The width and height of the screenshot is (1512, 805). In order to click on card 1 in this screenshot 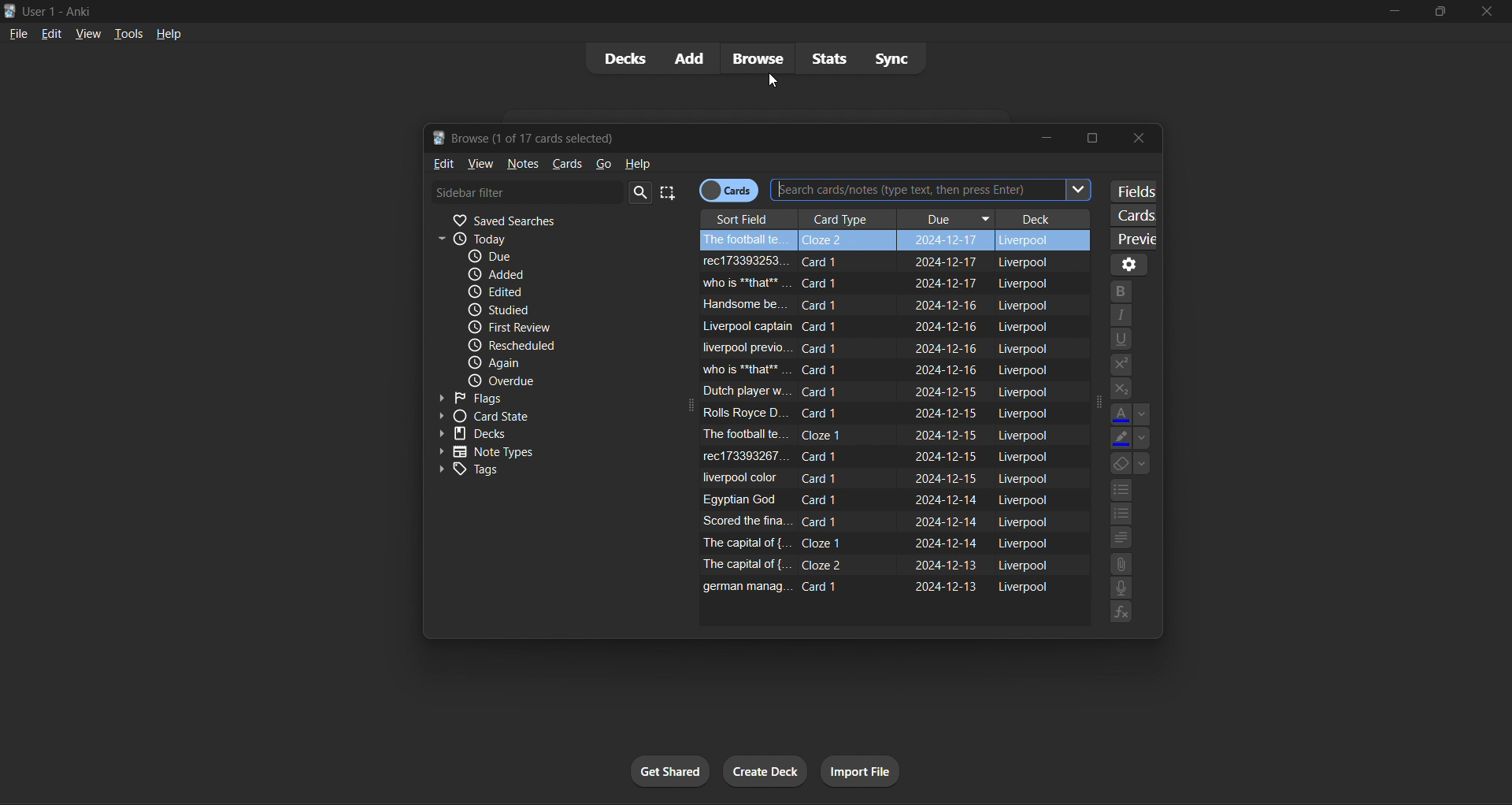, I will do `click(827, 394)`.